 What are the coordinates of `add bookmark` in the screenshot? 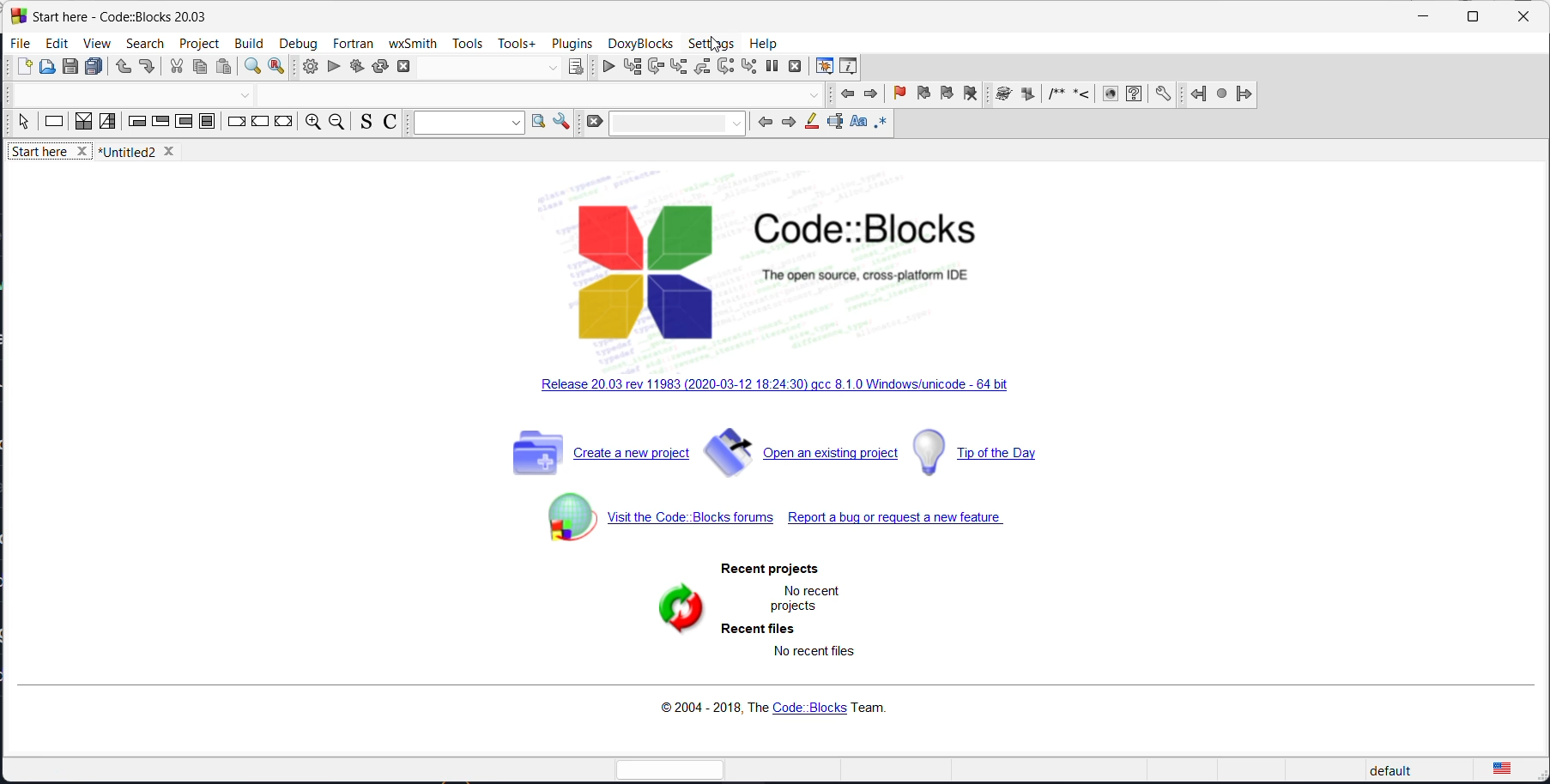 It's located at (897, 95).